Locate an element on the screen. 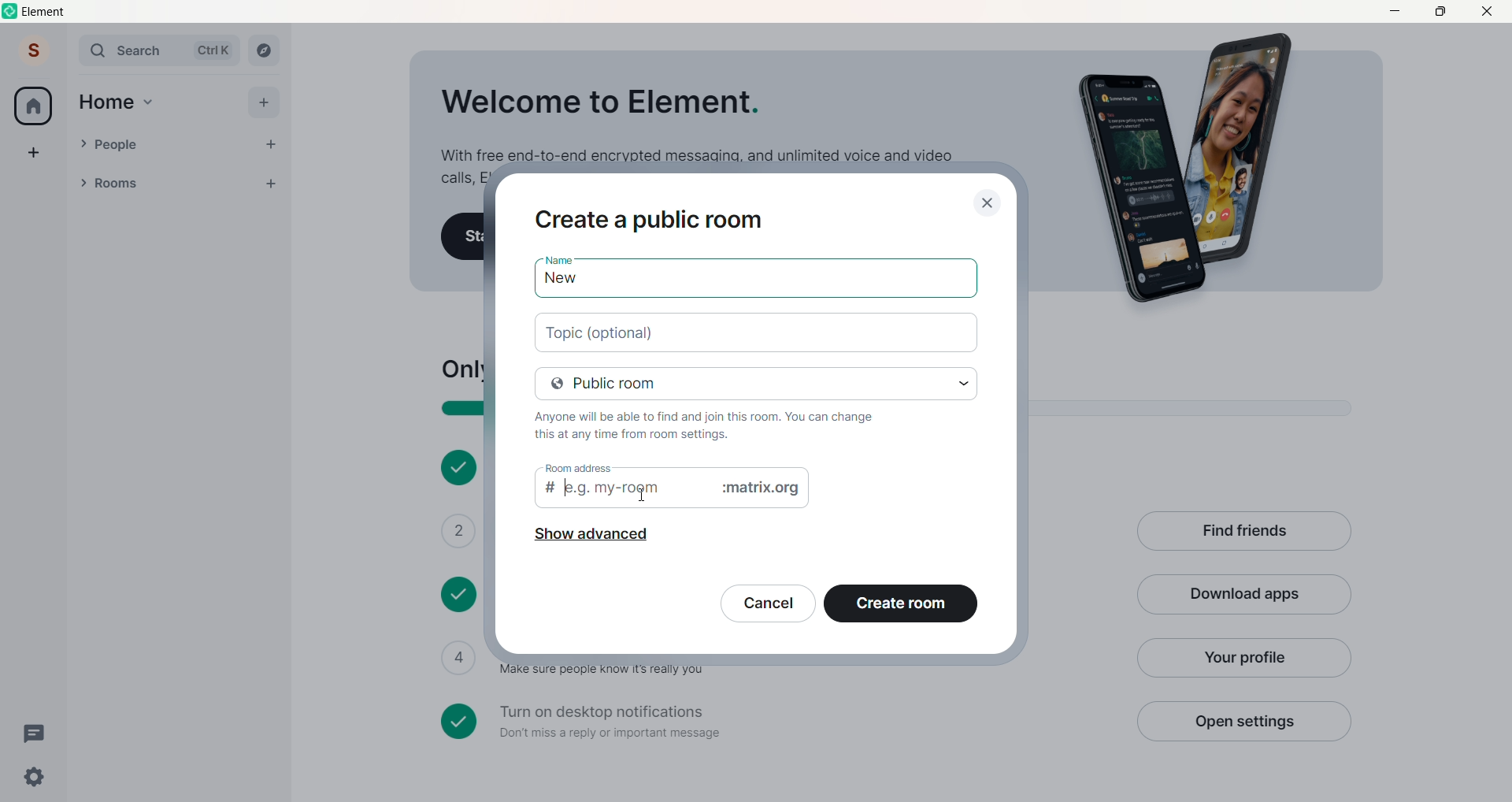  Graphics Image is located at coordinates (1194, 169).